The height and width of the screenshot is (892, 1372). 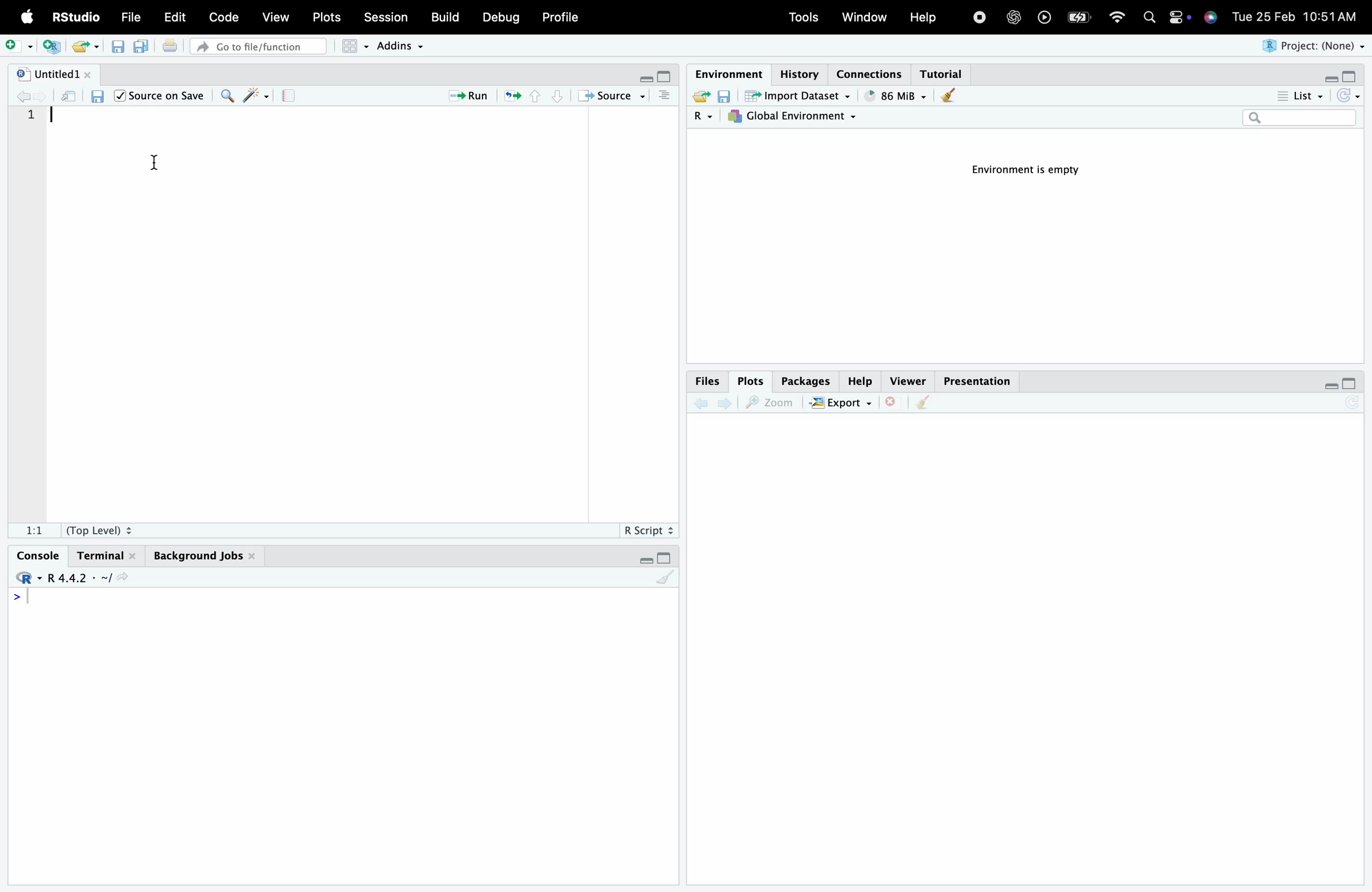 I want to click on File, so click(x=134, y=18).